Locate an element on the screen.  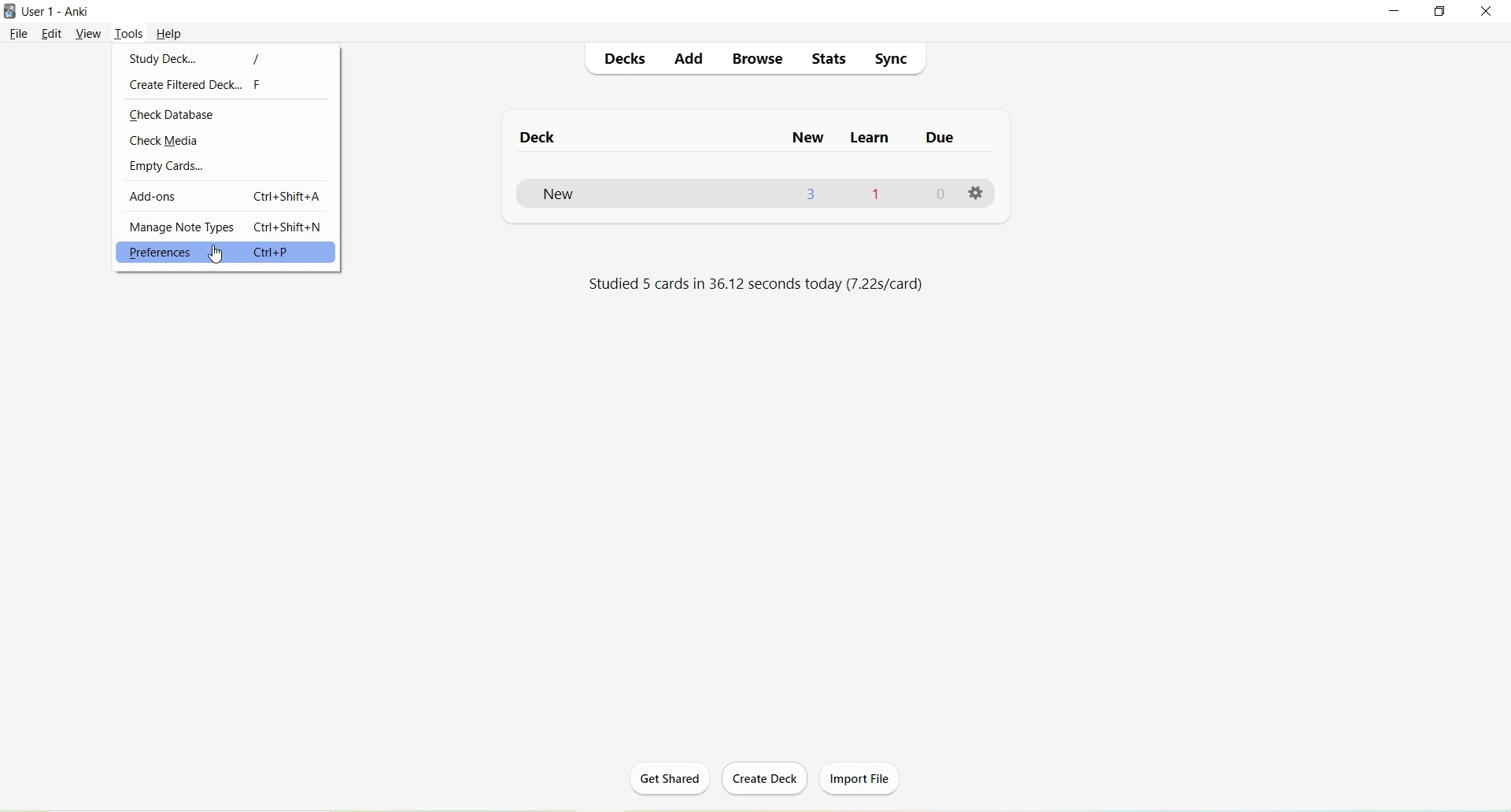
Minimize is located at coordinates (1396, 12).